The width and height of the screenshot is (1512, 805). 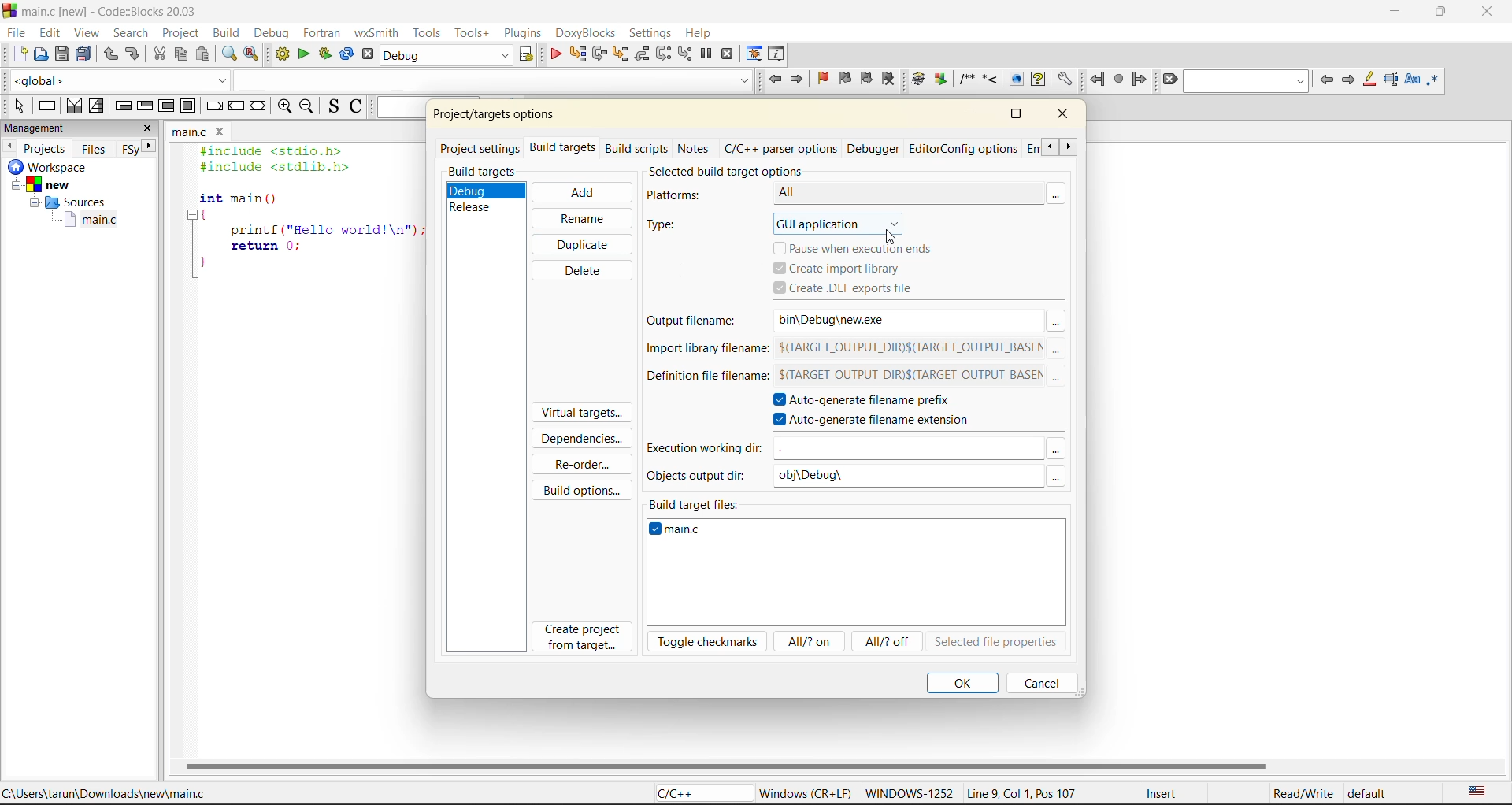 What do you see at coordinates (308, 108) in the screenshot?
I see `zoom out` at bounding box center [308, 108].